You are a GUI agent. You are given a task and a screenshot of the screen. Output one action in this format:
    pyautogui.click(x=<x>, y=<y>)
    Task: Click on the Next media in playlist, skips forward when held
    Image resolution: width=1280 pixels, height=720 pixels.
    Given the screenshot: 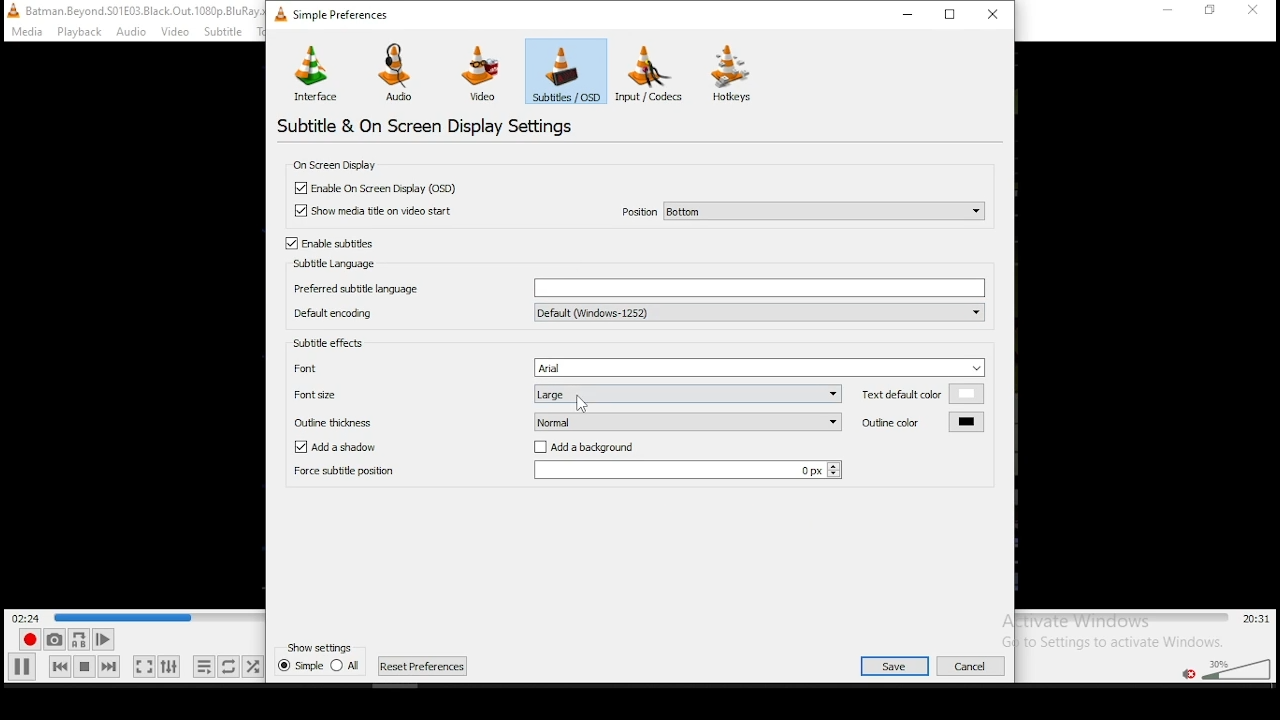 What is the action you would take?
    pyautogui.click(x=108, y=667)
    